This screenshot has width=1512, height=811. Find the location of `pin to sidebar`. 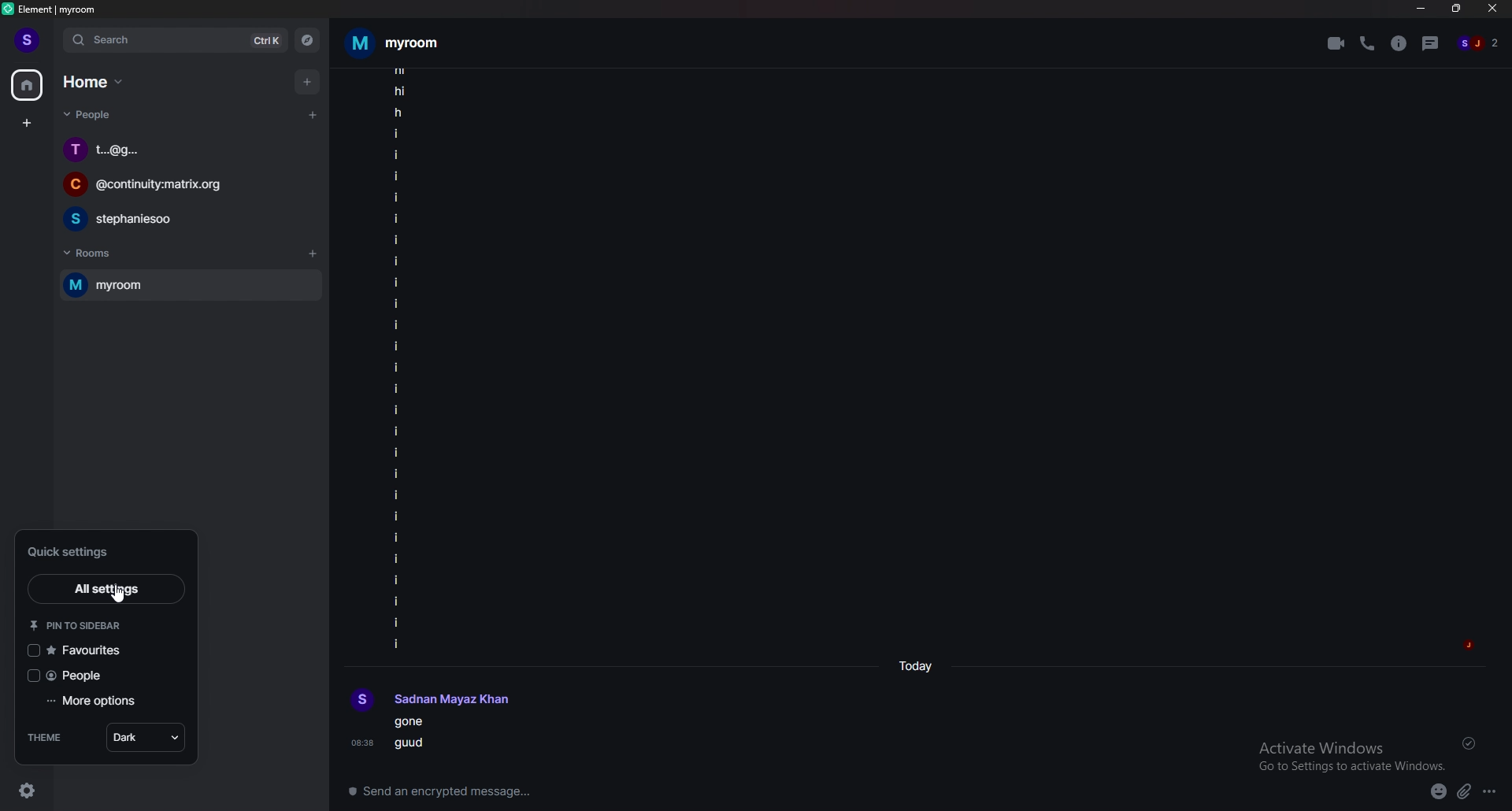

pin to sidebar is located at coordinates (77, 624).